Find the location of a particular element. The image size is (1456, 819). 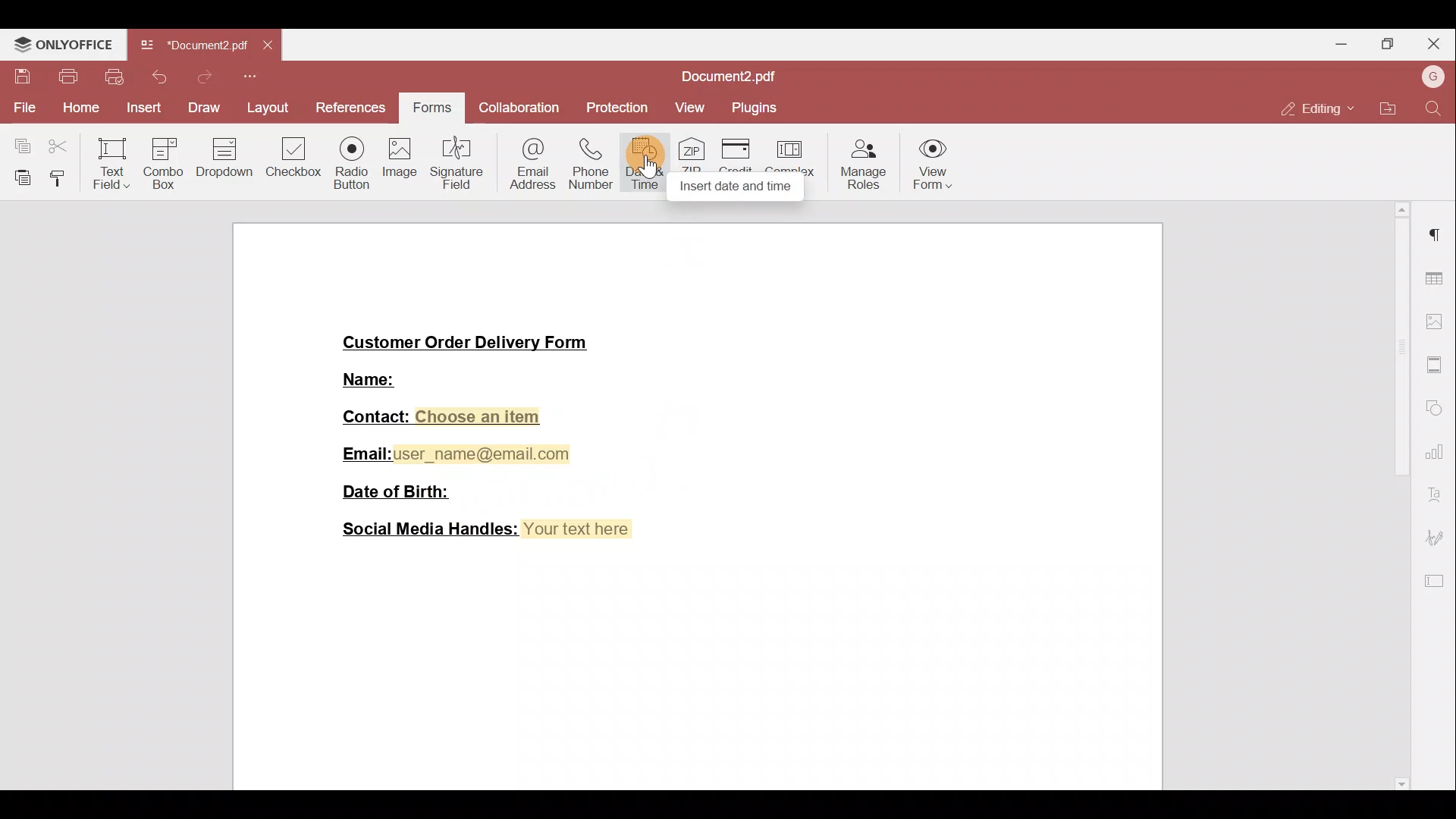

Close is located at coordinates (1434, 44).